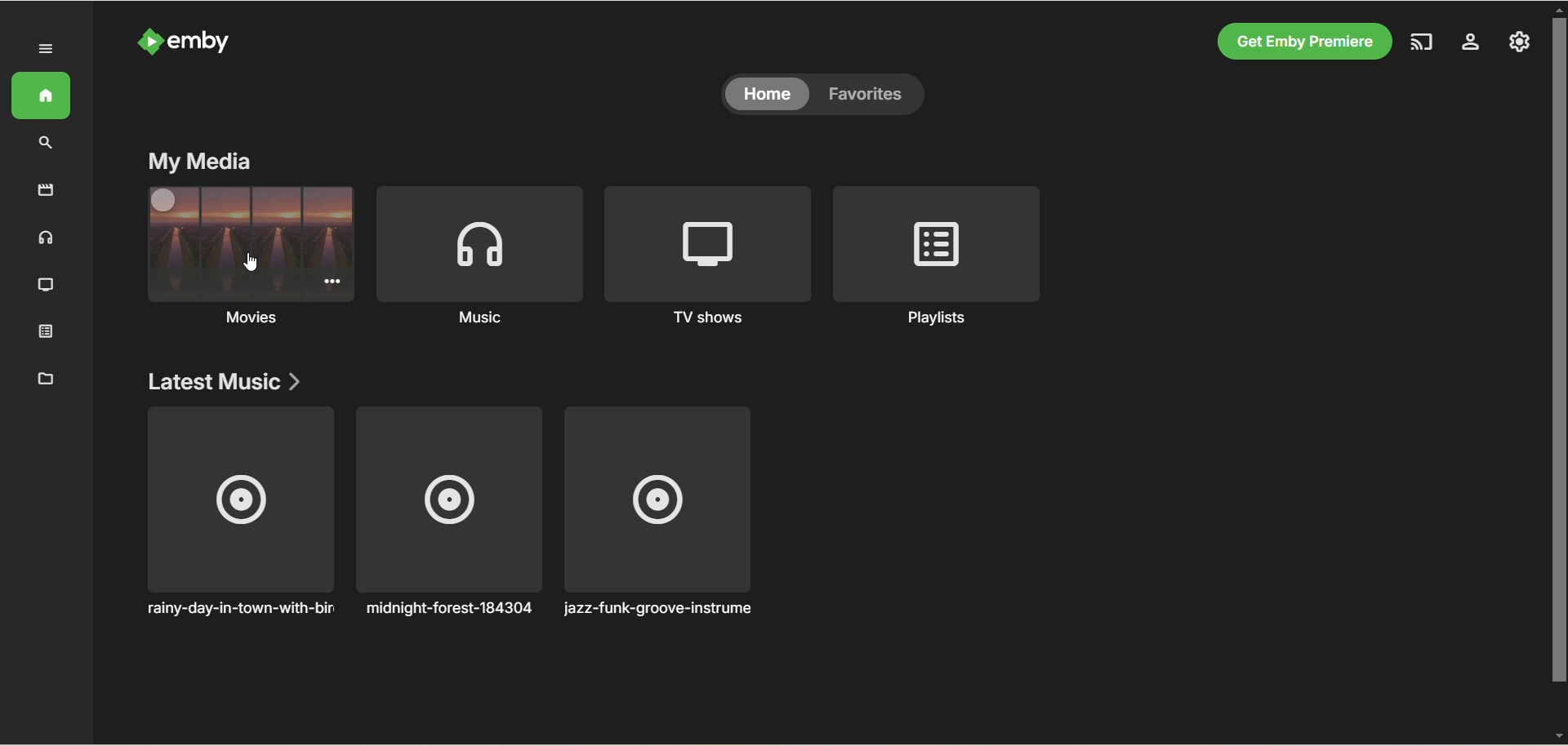 Image resolution: width=1568 pixels, height=746 pixels. I want to click on Music album, so click(238, 512).